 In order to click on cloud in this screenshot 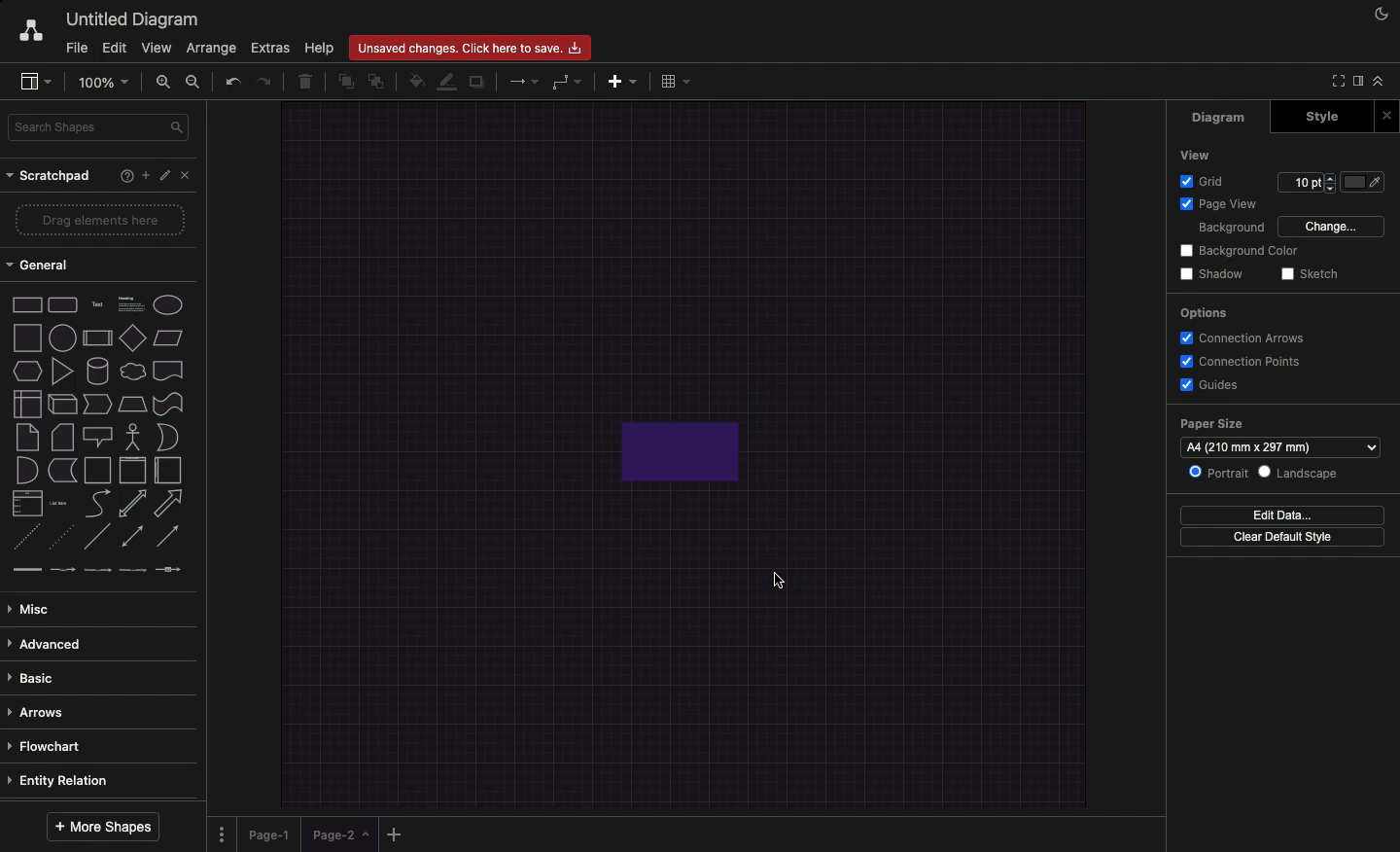, I will do `click(131, 370)`.